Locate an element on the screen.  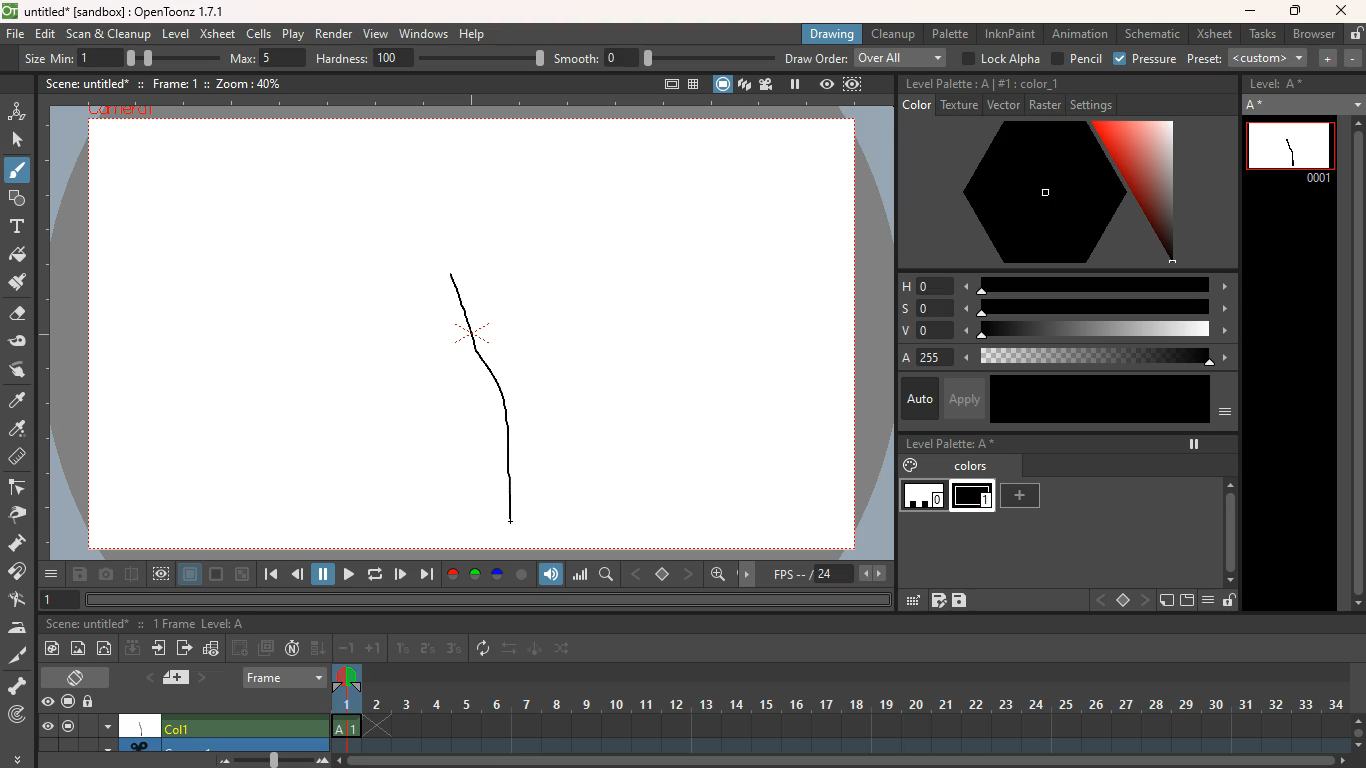
unlock is located at coordinates (1354, 34).